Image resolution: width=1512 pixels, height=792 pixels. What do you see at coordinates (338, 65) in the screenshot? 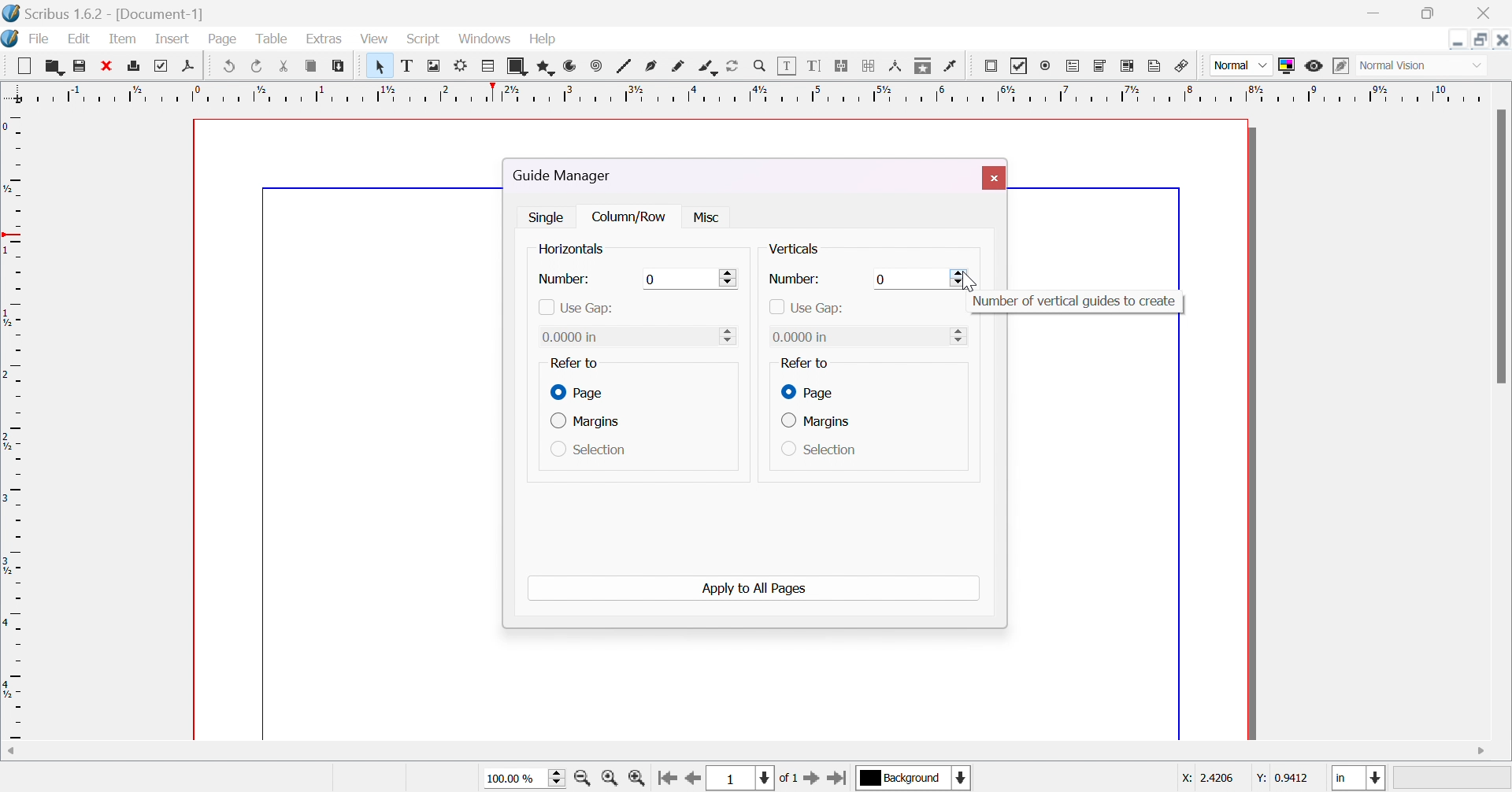
I see `paste` at bounding box center [338, 65].